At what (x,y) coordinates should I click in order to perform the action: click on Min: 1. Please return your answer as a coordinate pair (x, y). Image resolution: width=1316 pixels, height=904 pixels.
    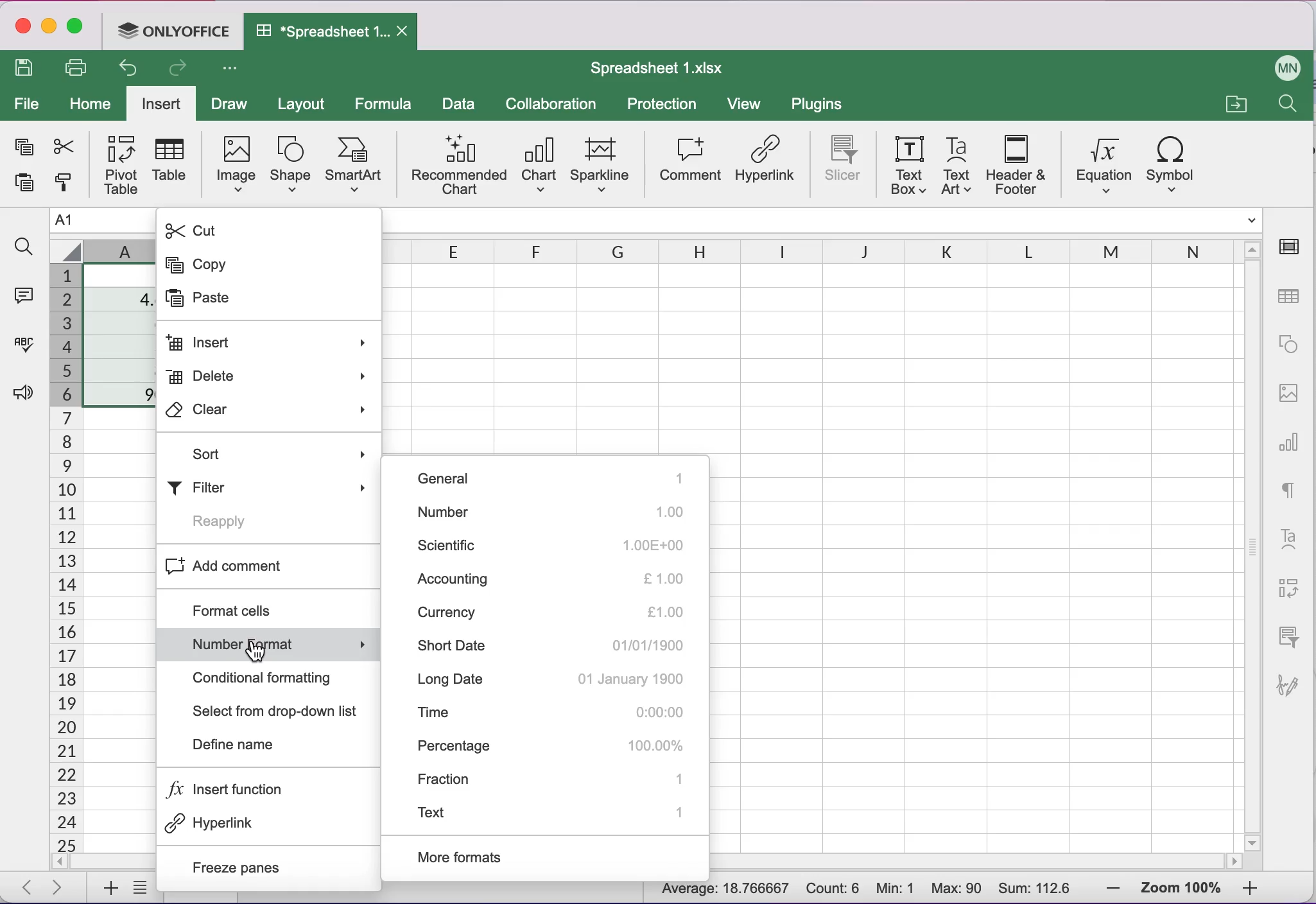
    Looking at the image, I should click on (897, 888).